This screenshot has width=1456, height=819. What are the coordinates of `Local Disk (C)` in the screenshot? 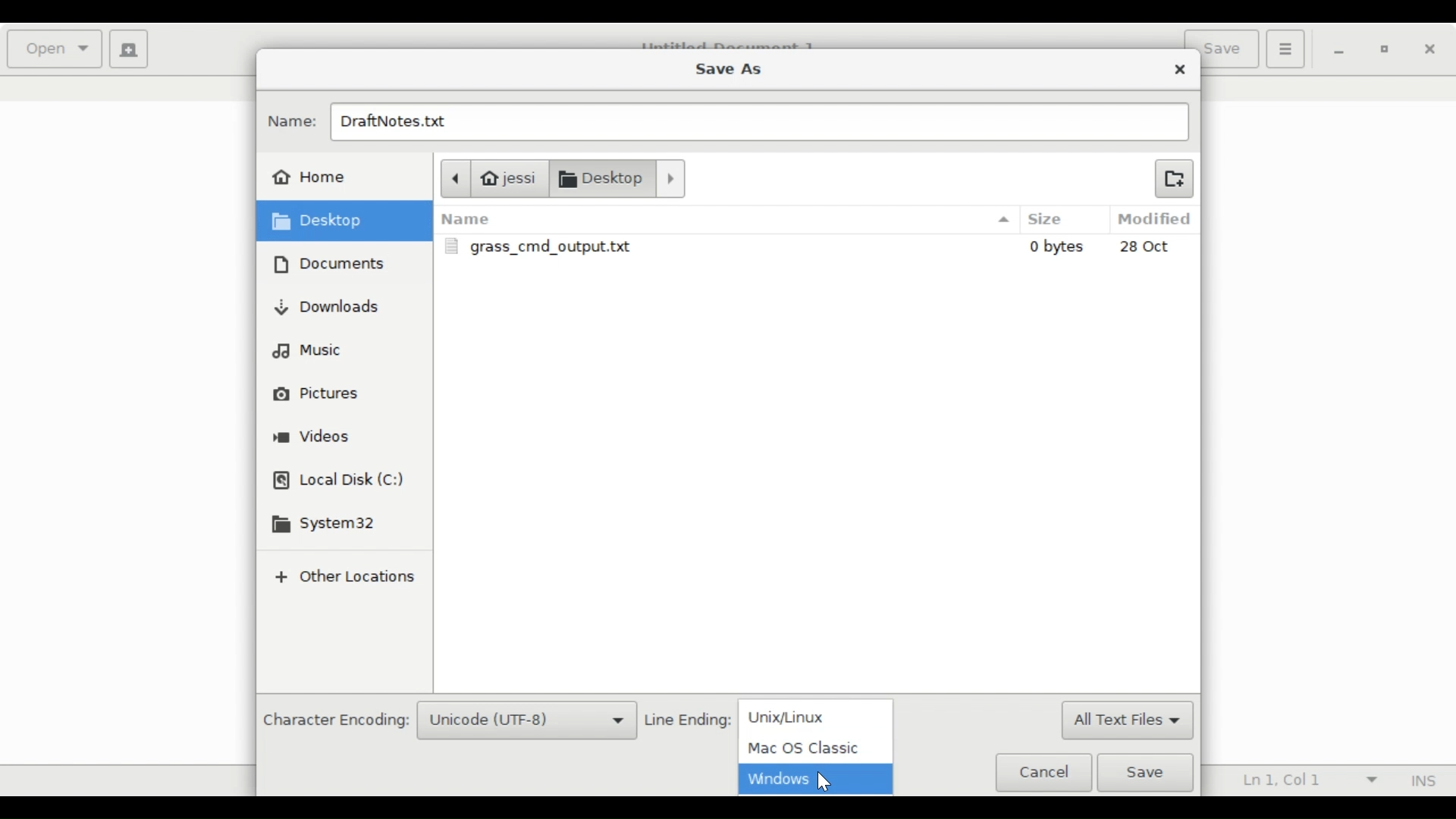 It's located at (340, 482).